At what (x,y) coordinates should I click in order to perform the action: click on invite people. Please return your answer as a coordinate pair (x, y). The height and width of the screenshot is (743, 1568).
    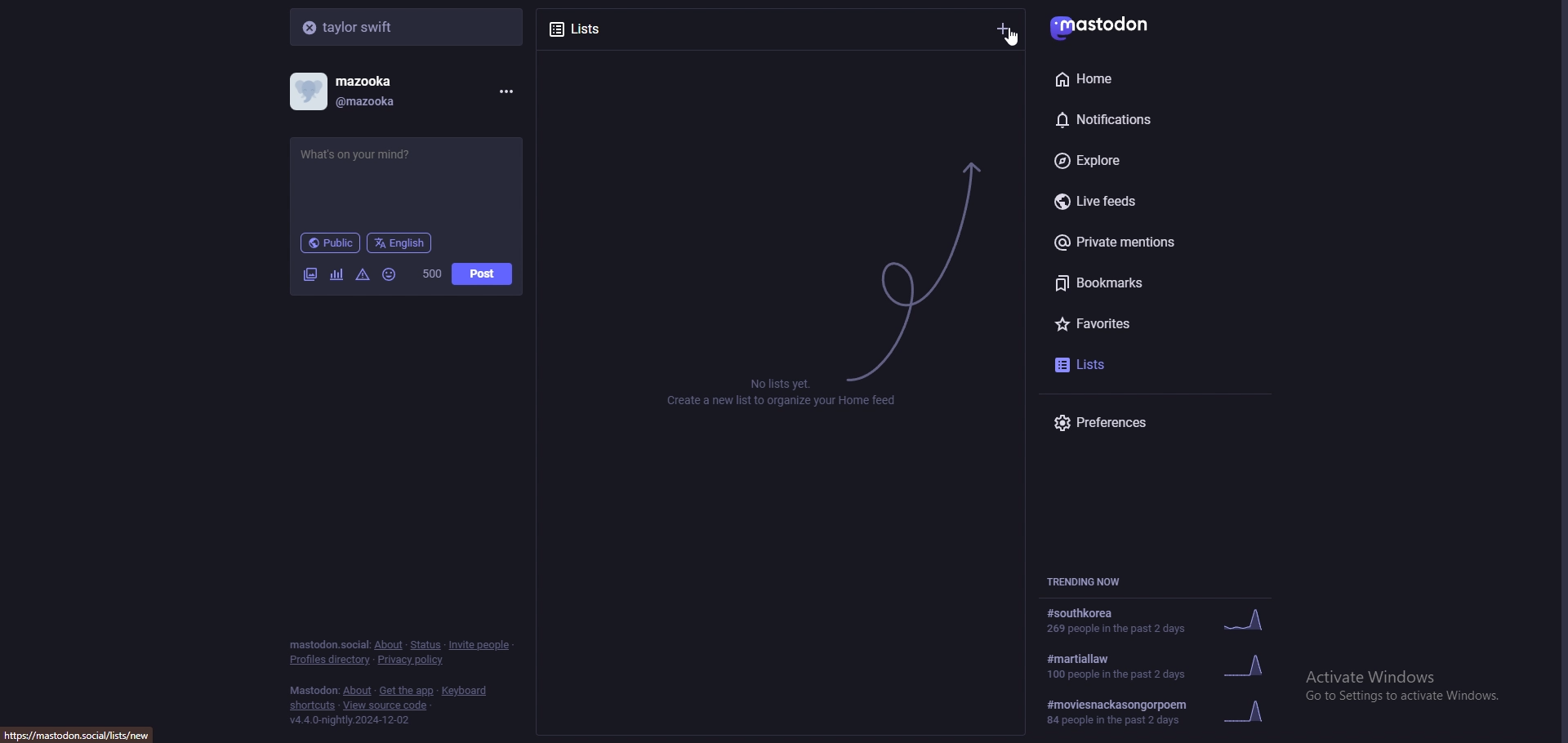
    Looking at the image, I should click on (480, 644).